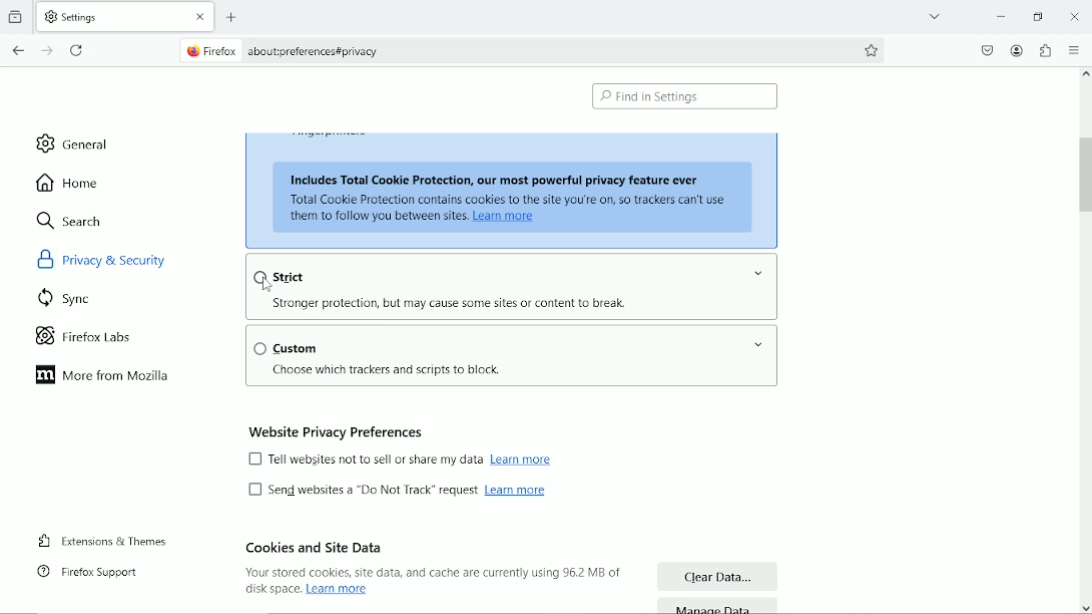 The width and height of the screenshot is (1092, 614). Describe the element at coordinates (1018, 50) in the screenshot. I see `account` at that location.